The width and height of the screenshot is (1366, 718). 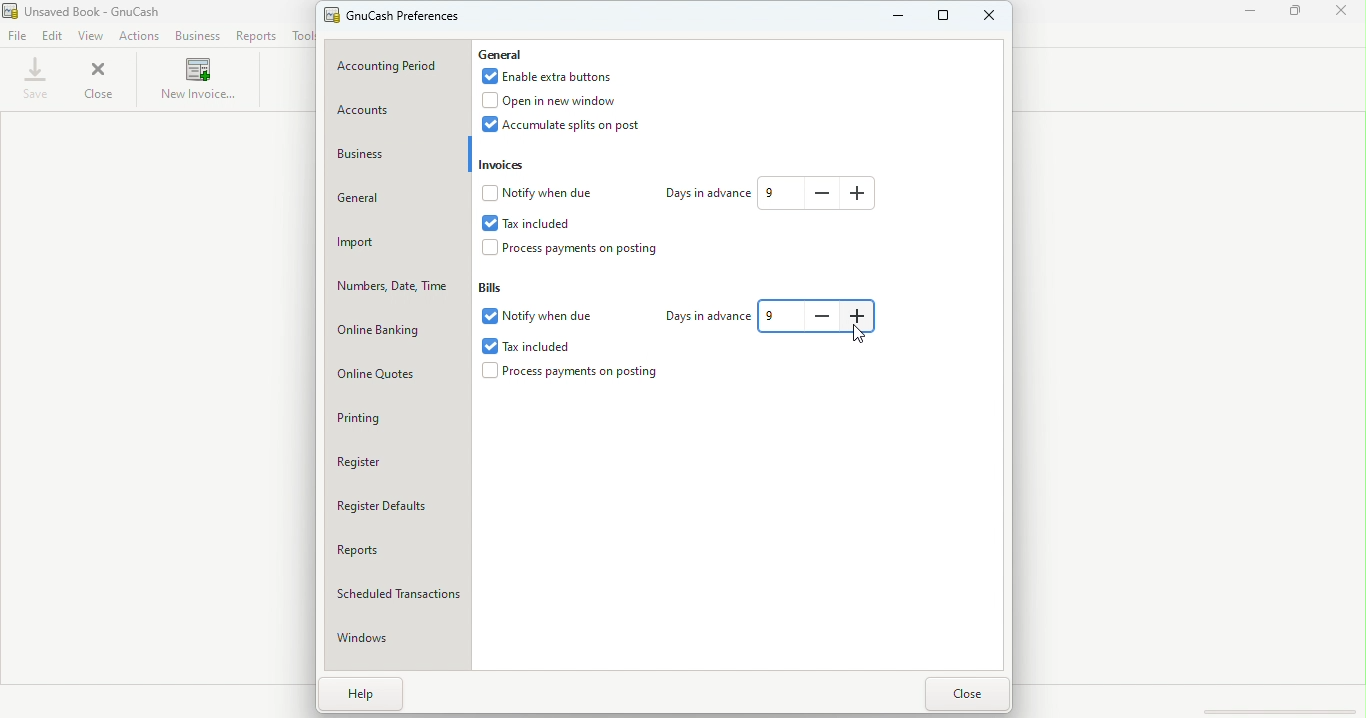 What do you see at coordinates (1299, 15) in the screenshot?
I see `Maximize` at bounding box center [1299, 15].